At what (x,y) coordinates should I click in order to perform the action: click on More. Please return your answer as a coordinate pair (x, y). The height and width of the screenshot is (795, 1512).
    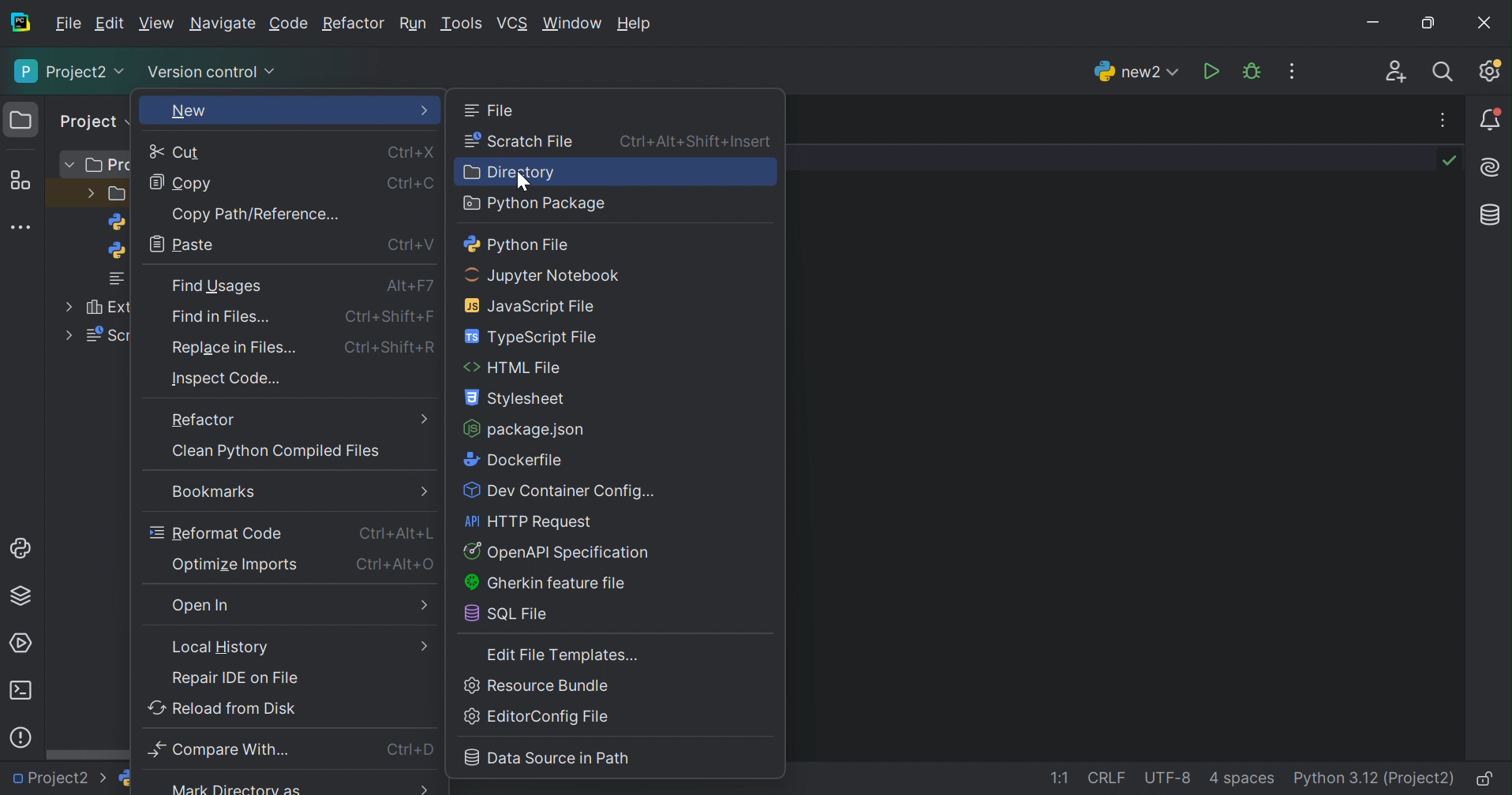
    Looking at the image, I should click on (425, 645).